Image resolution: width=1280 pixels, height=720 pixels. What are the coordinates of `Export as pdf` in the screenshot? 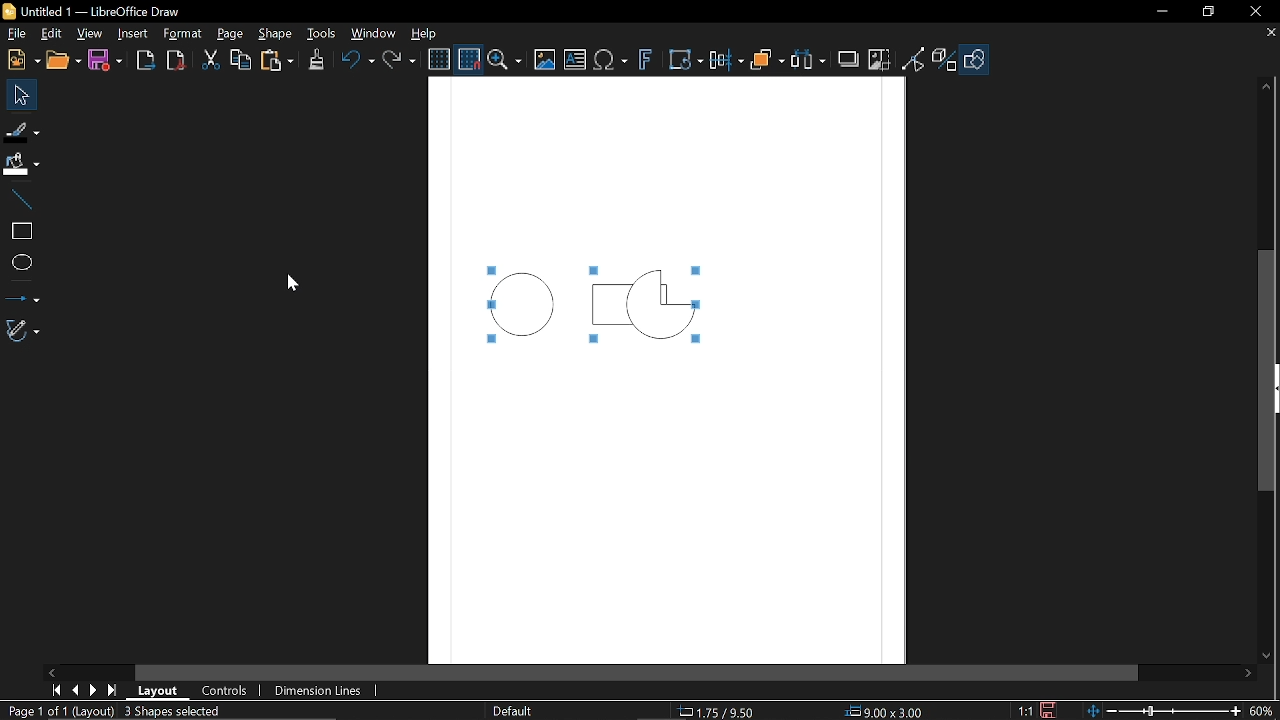 It's located at (175, 61).